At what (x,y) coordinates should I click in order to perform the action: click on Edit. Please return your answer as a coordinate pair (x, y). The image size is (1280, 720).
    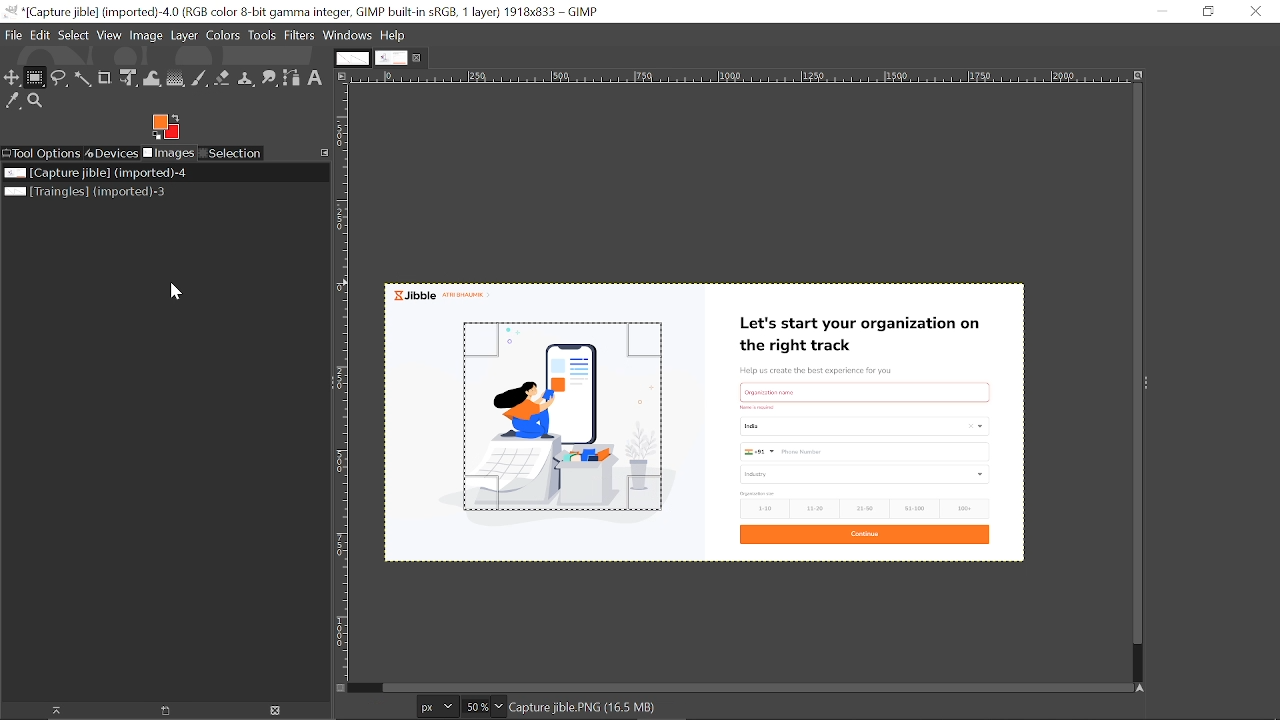
    Looking at the image, I should click on (40, 34).